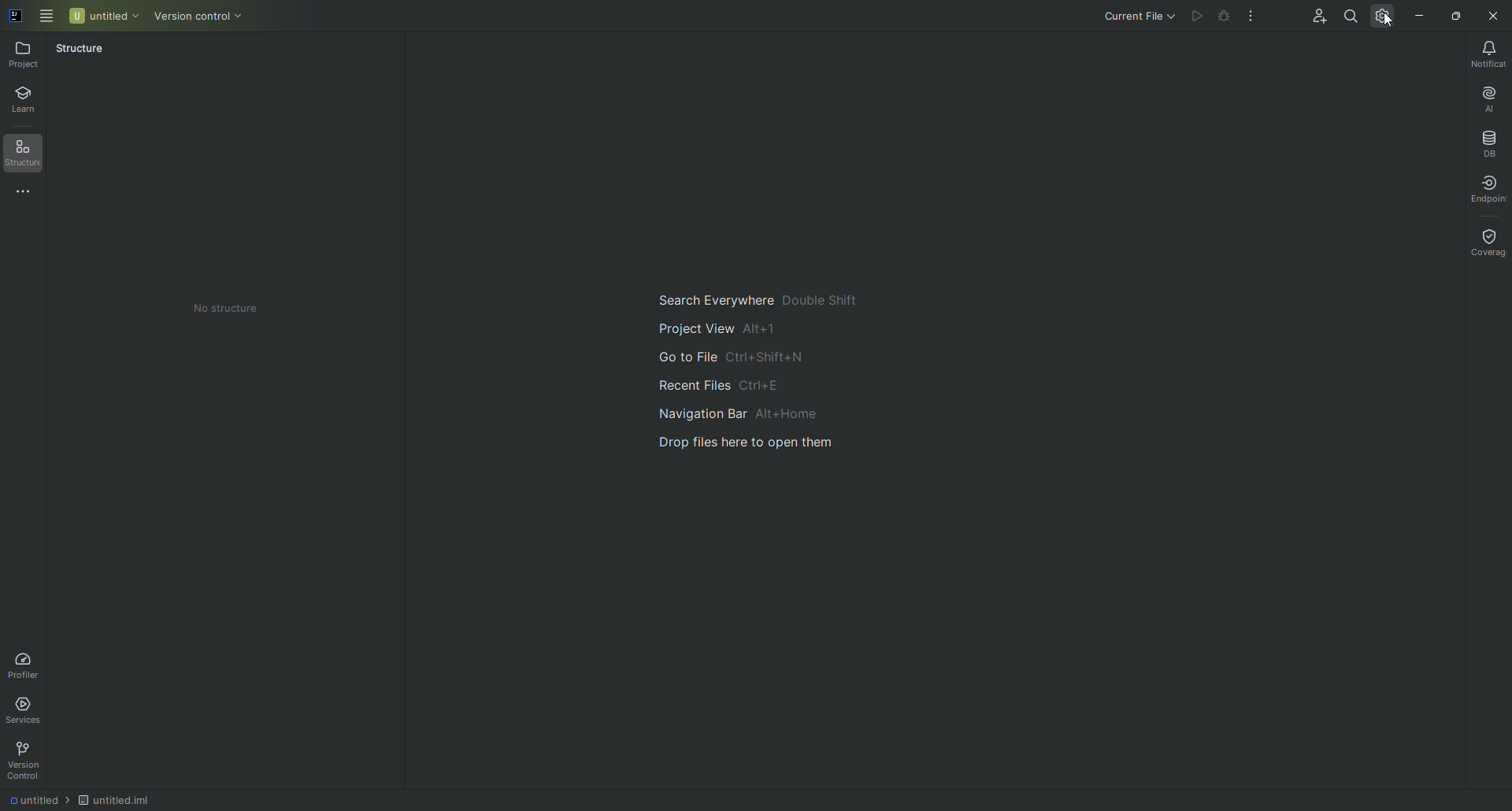  I want to click on Minimize, so click(1418, 15).